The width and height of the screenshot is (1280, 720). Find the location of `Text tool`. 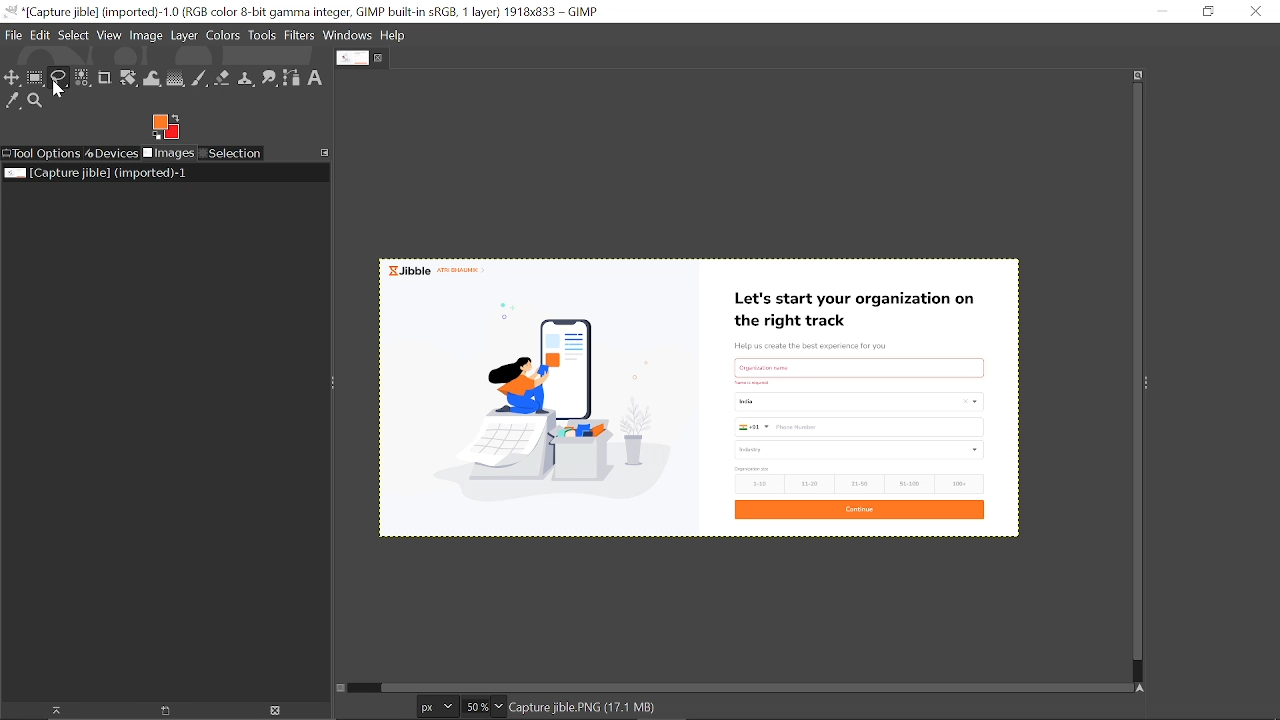

Text tool is located at coordinates (316, 78).